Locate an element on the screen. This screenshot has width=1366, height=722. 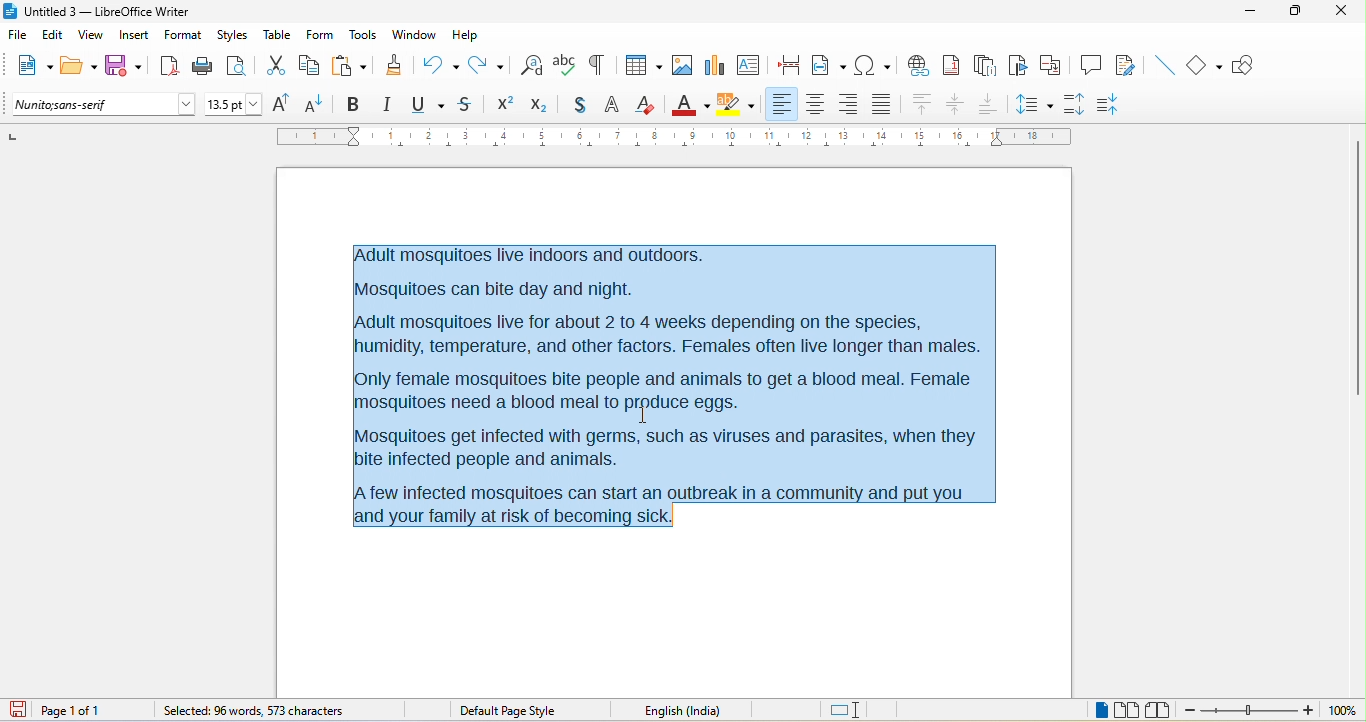
shadow is located at coordinates (573, 106).